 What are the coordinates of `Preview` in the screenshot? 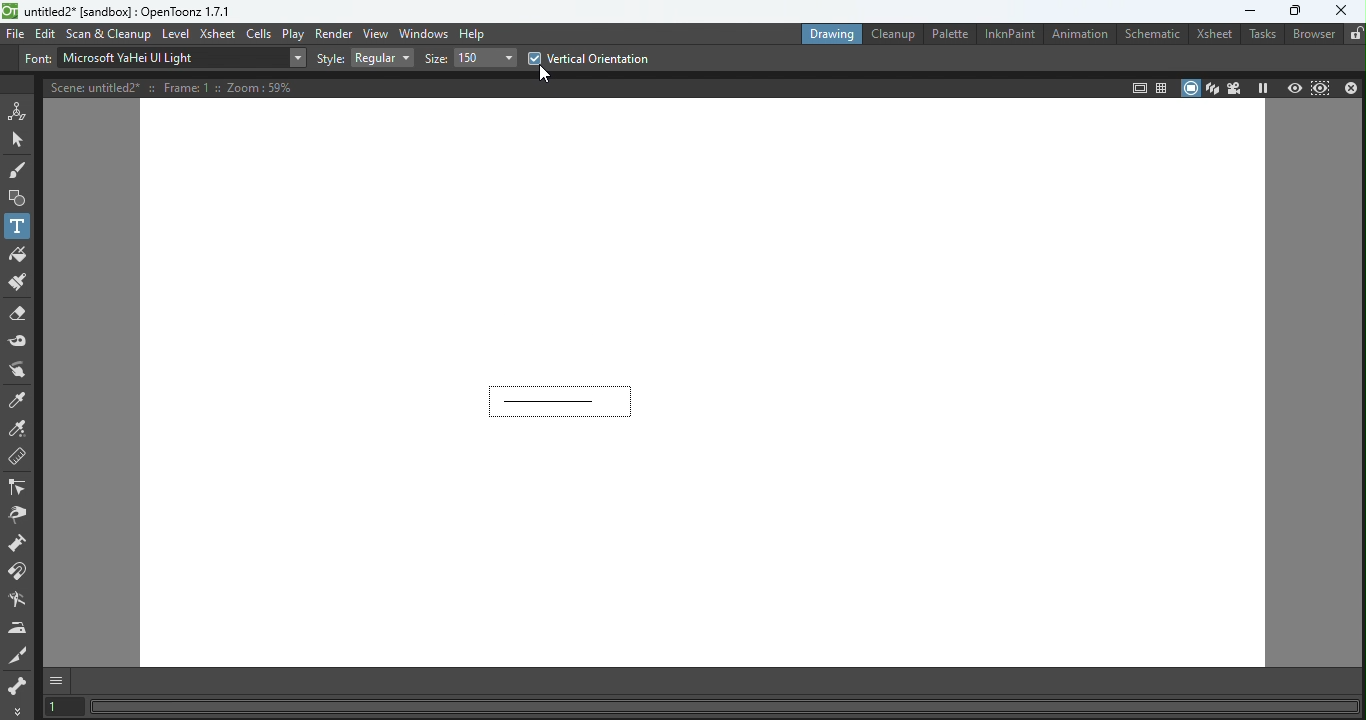 It's located at (1320, 88).